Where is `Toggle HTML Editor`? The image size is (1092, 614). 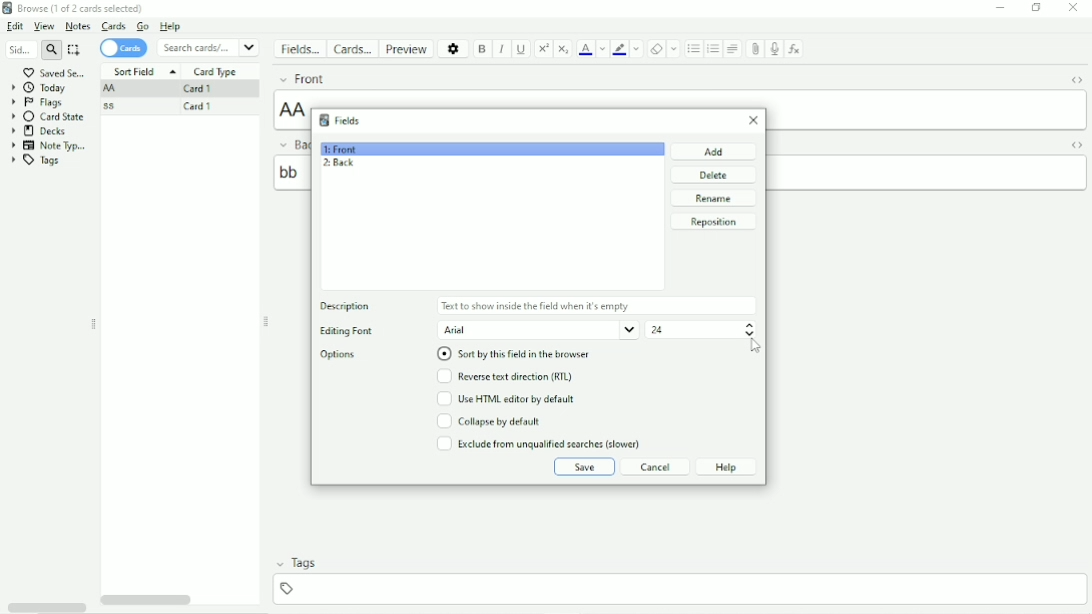 Toggle HTML Editor is located at coordinates (1075, 79).